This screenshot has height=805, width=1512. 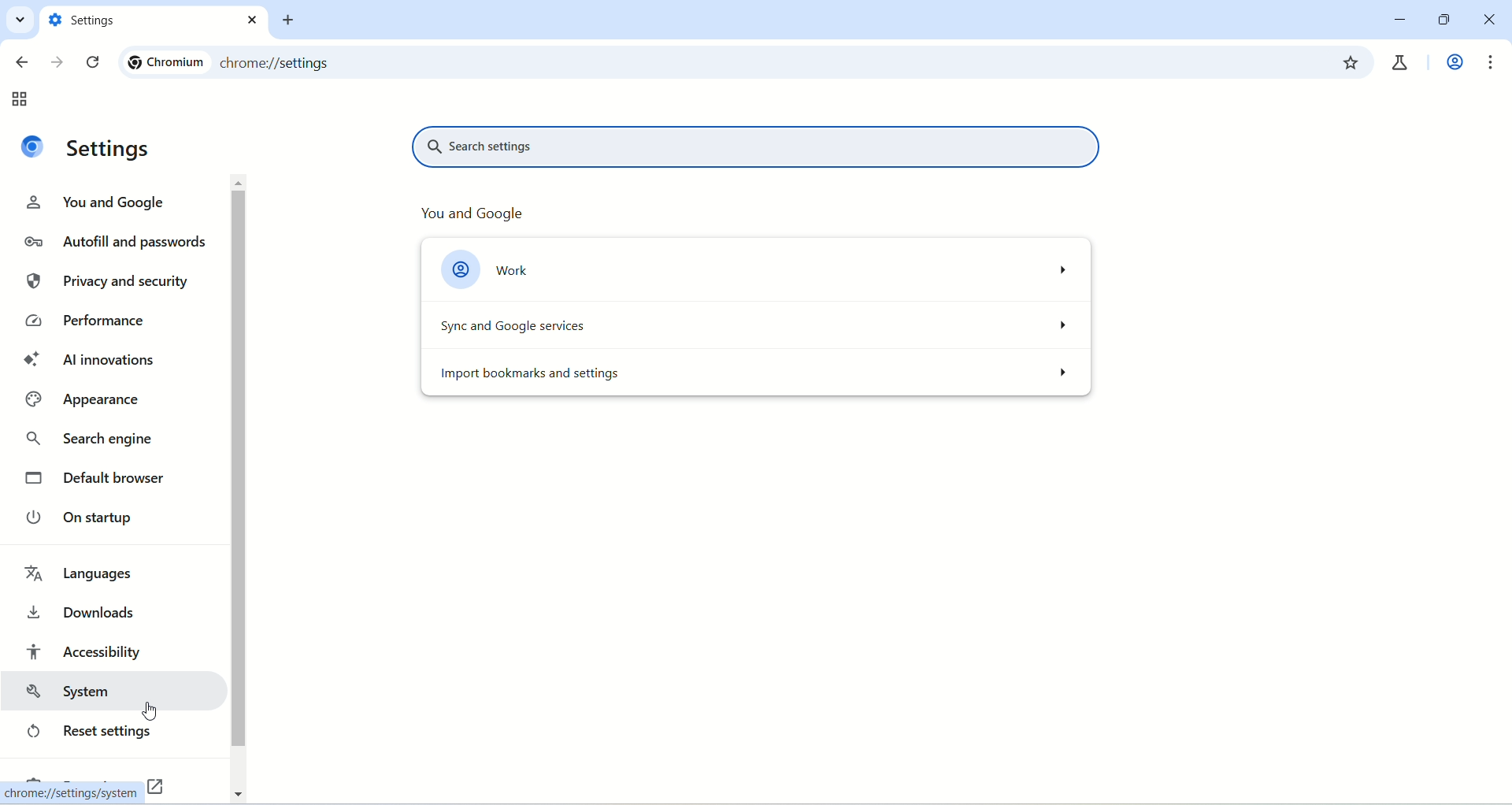 I want to click on maximize, so click(x=1440, y=20).